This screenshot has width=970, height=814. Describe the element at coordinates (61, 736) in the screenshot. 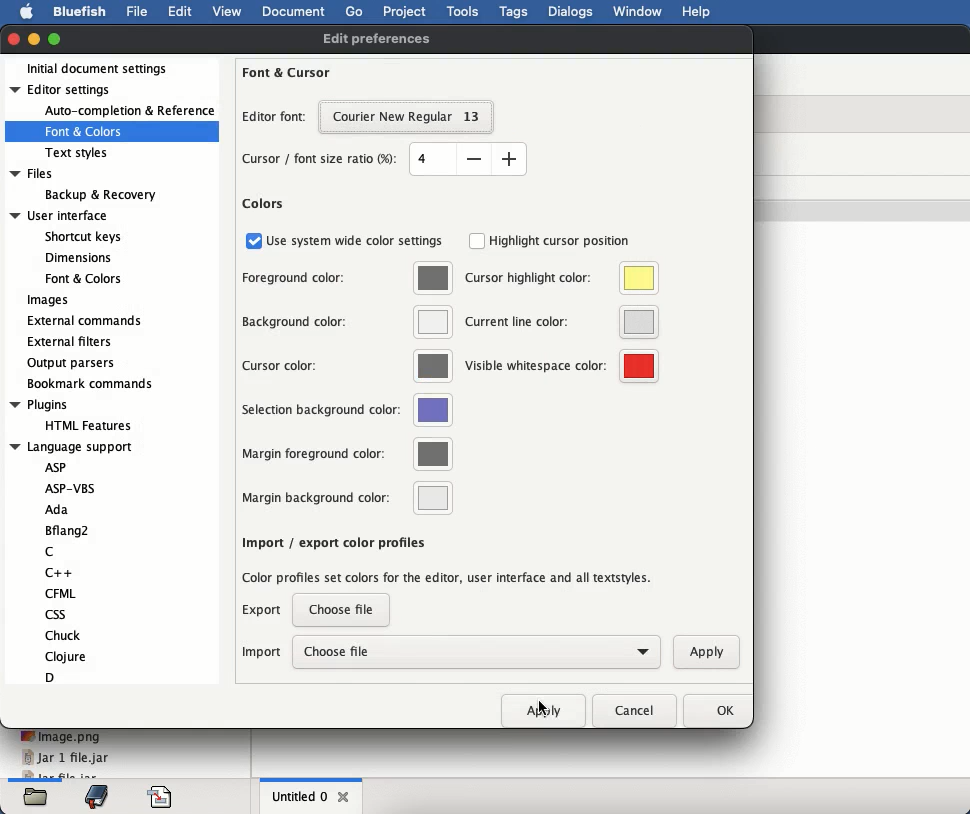

I see `image` at that location.